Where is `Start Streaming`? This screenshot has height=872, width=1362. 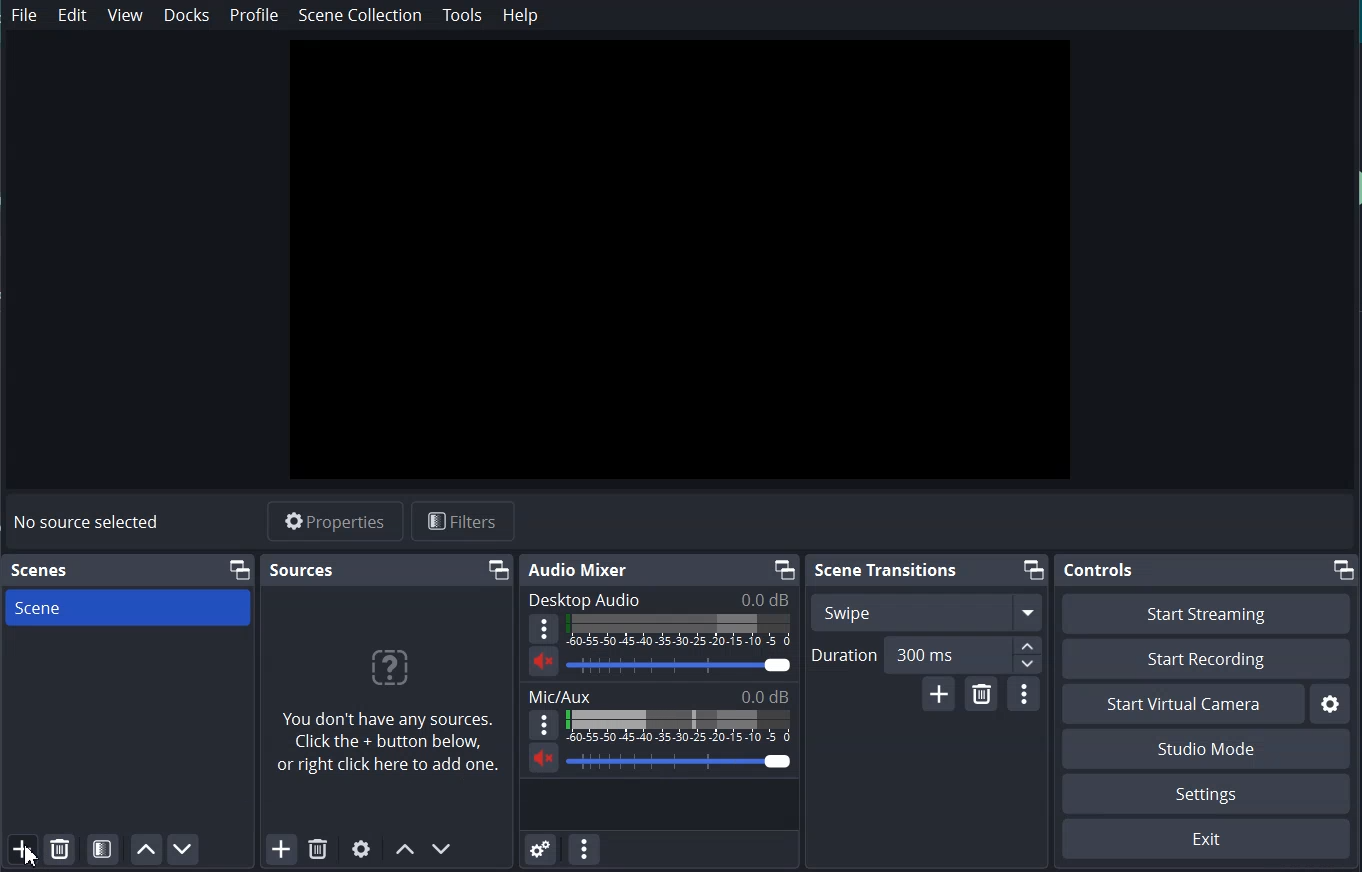 Start Streaming is located at coordinates (1206, 613).